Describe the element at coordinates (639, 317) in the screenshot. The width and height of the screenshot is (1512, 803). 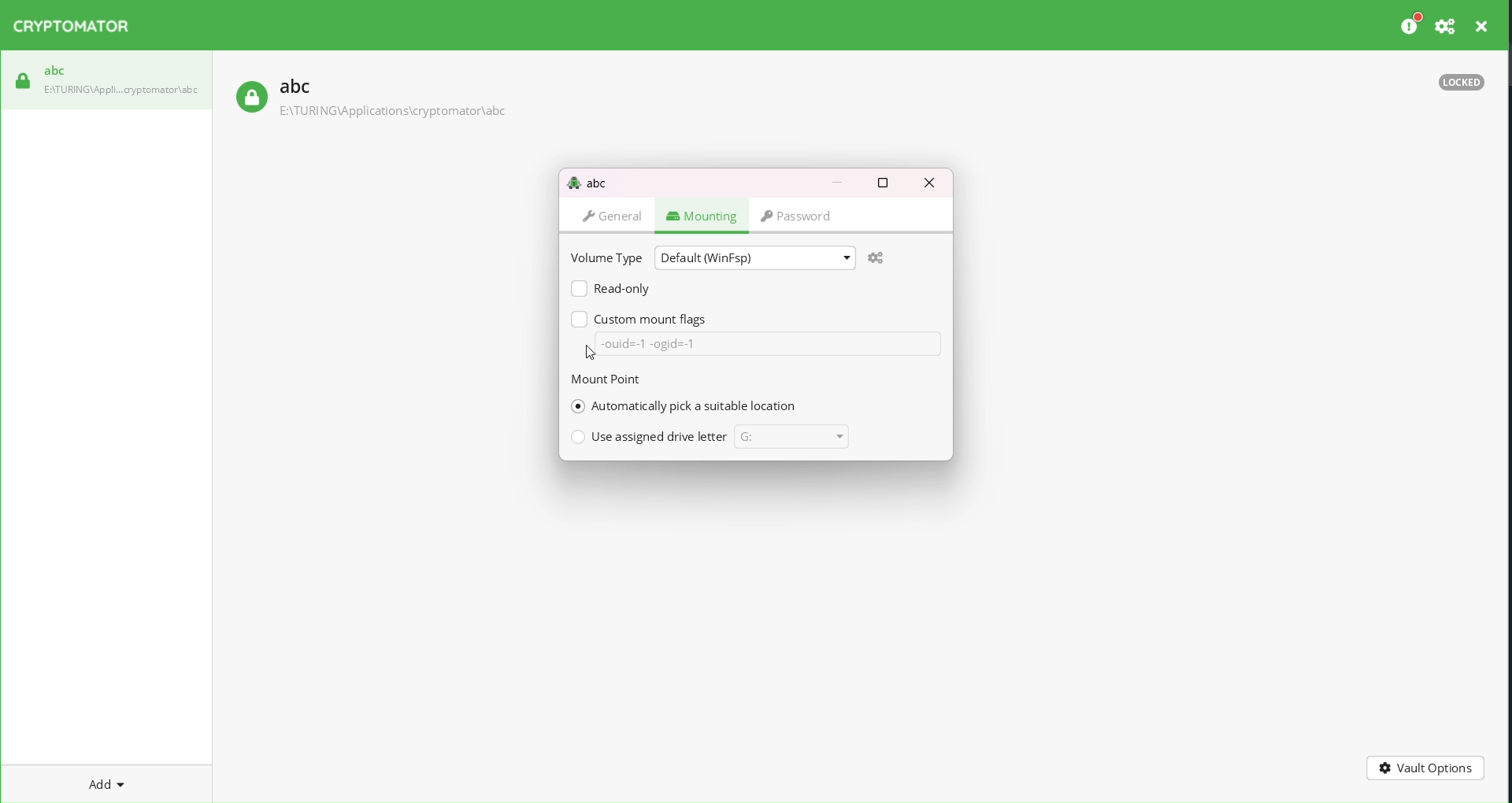
I see `custom mount flags` at that location.